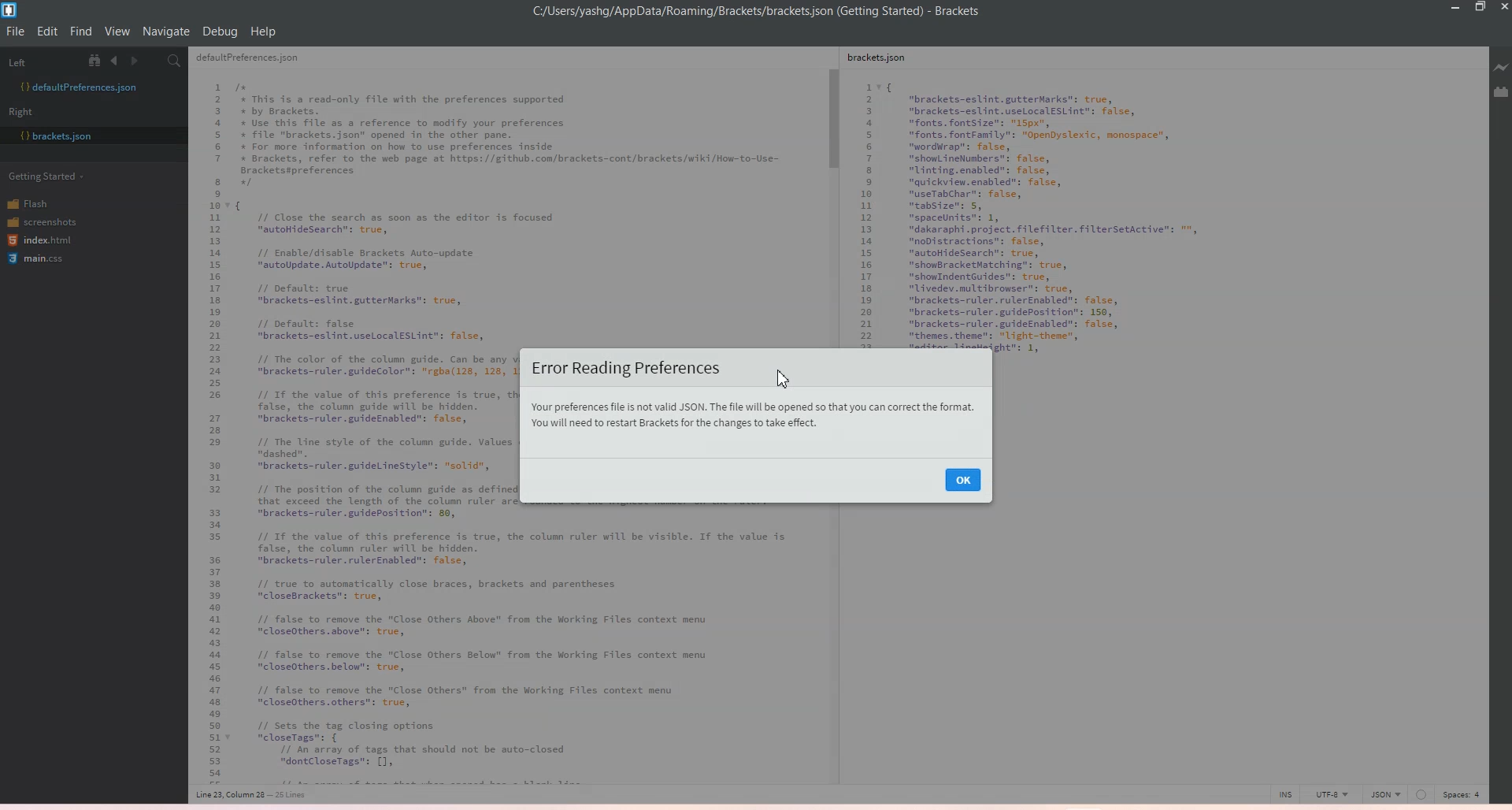  What do you see at coordinates (56, 136) in the screenshot?
I see `Bracket.json` at bounding box center [56, 136].